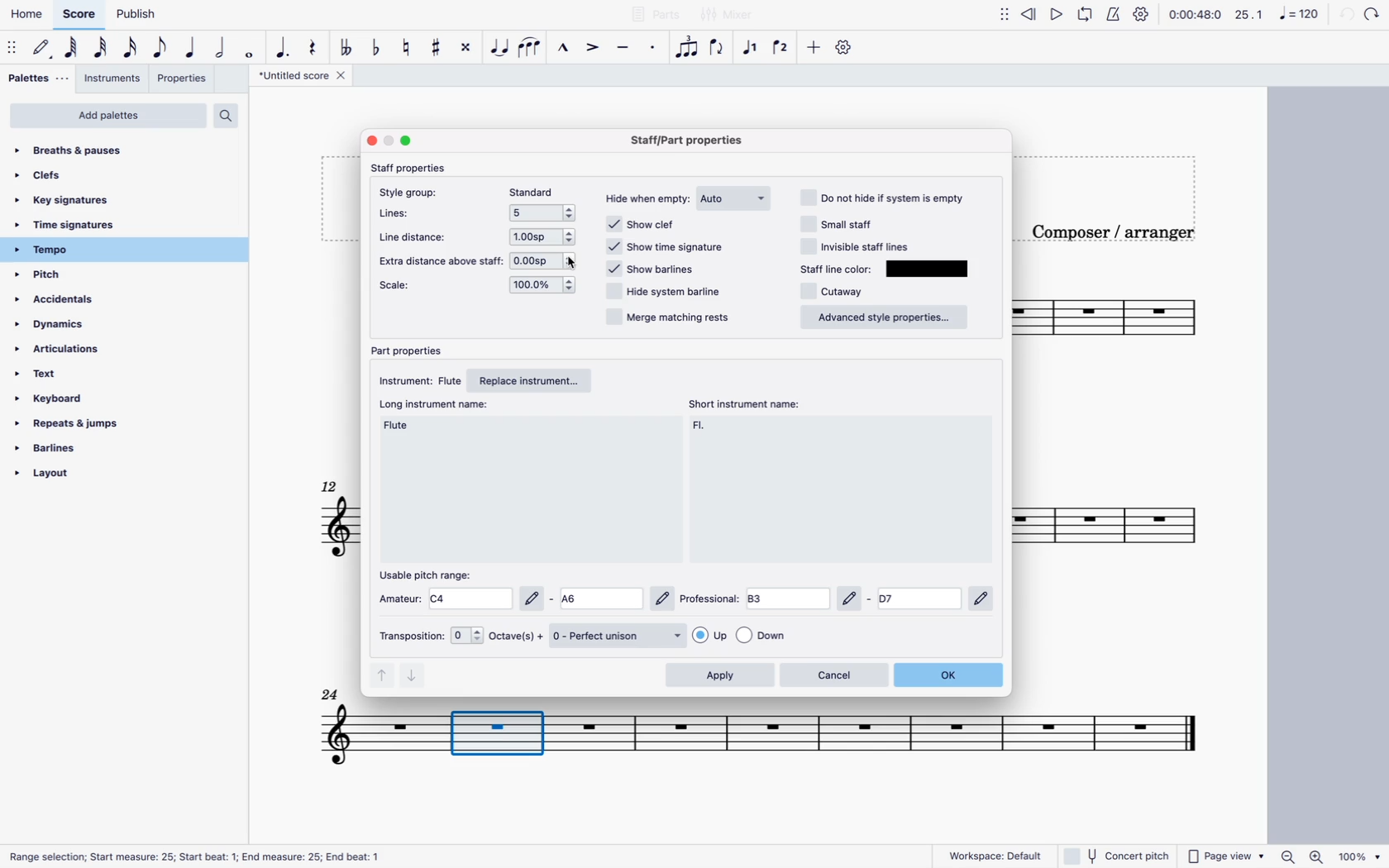 The image size is (1389, 868). I want to click on move, so click(12, 47).